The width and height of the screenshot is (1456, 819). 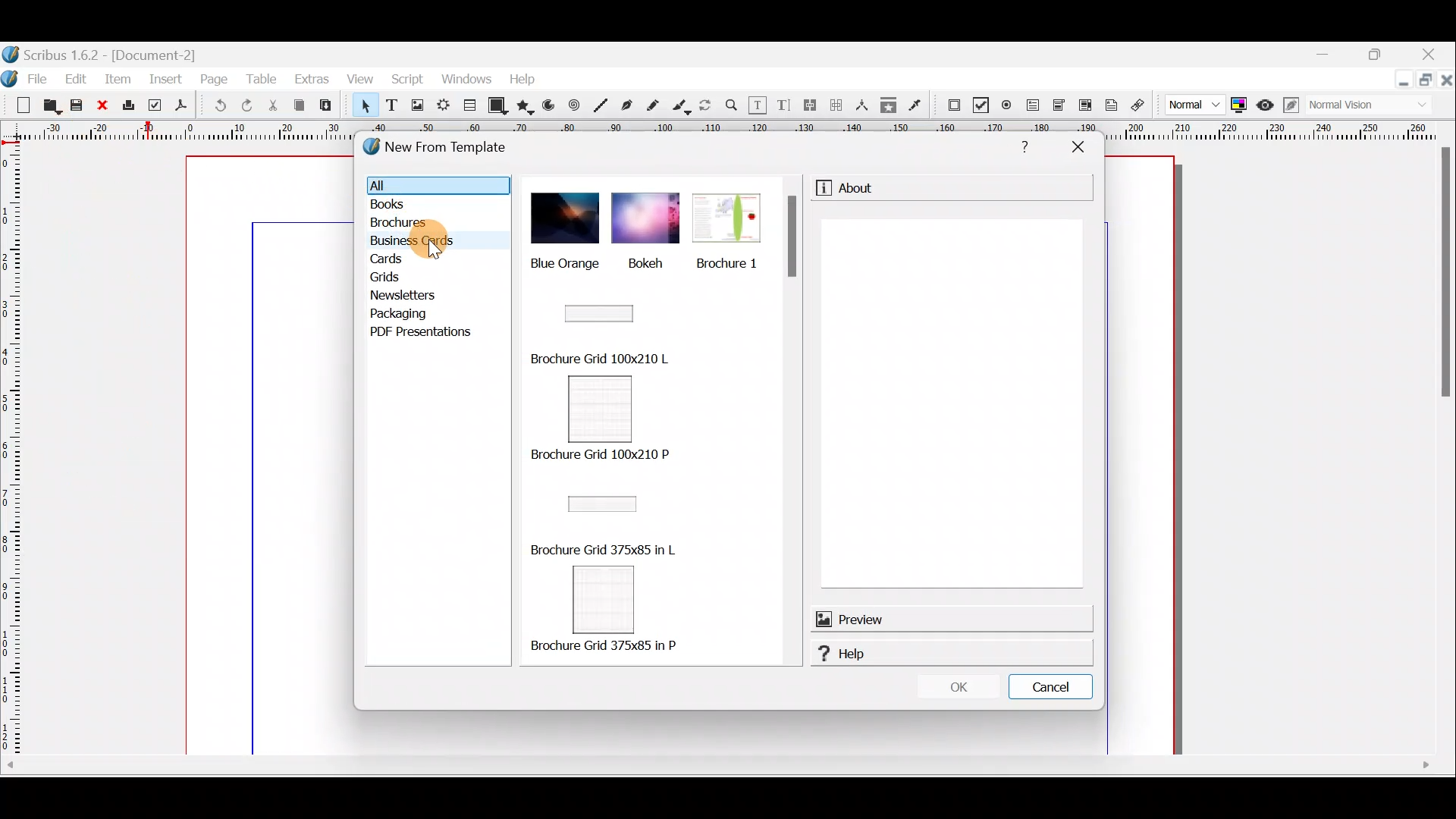 What do you see at coordinates (417, 108) in the screenshot?
I see `Image frame` at bounding box center [417, 108].